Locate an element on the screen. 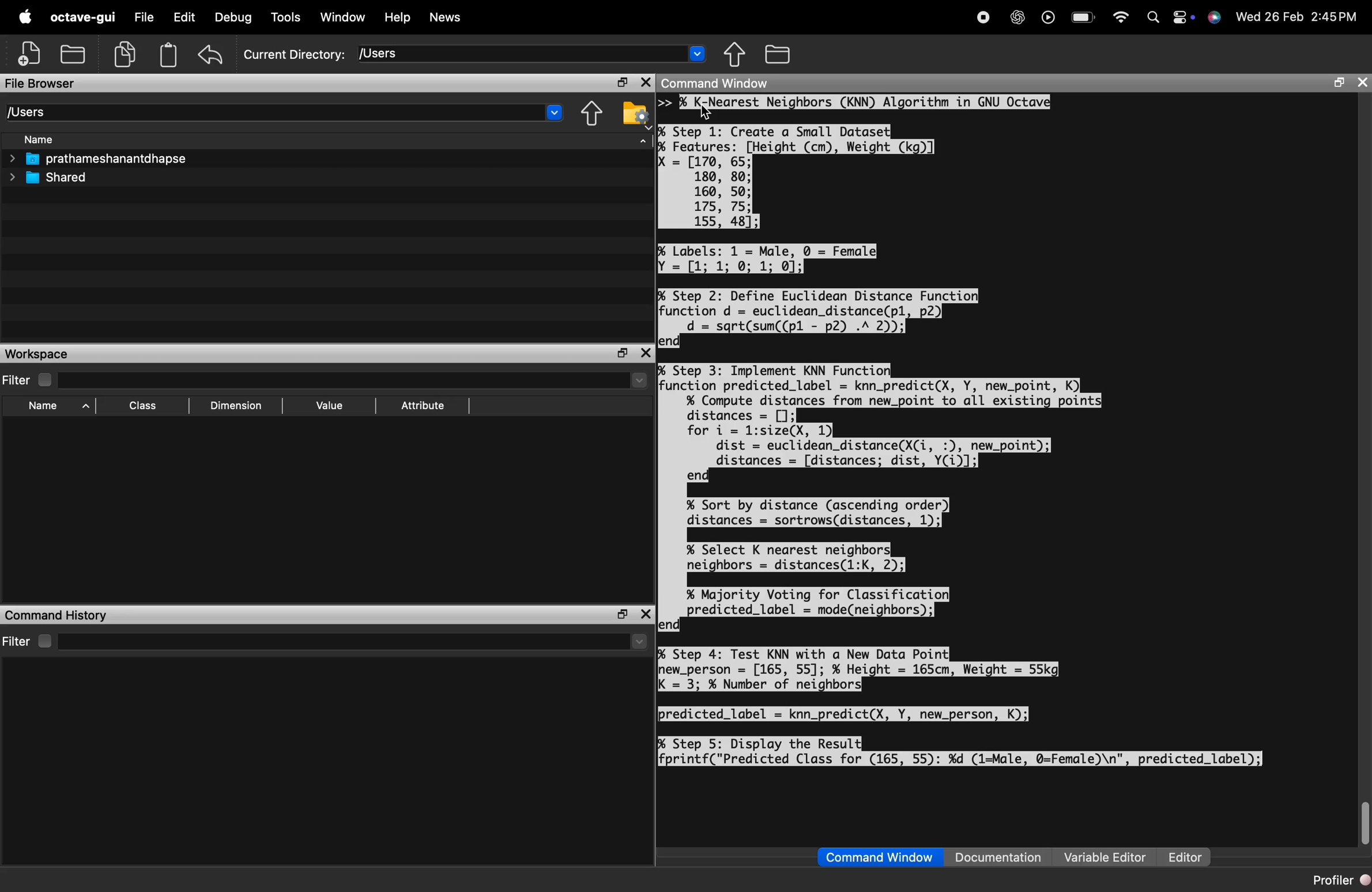 This screenshot has height=892, width=1372. Window is located at coordinates (346, 14).